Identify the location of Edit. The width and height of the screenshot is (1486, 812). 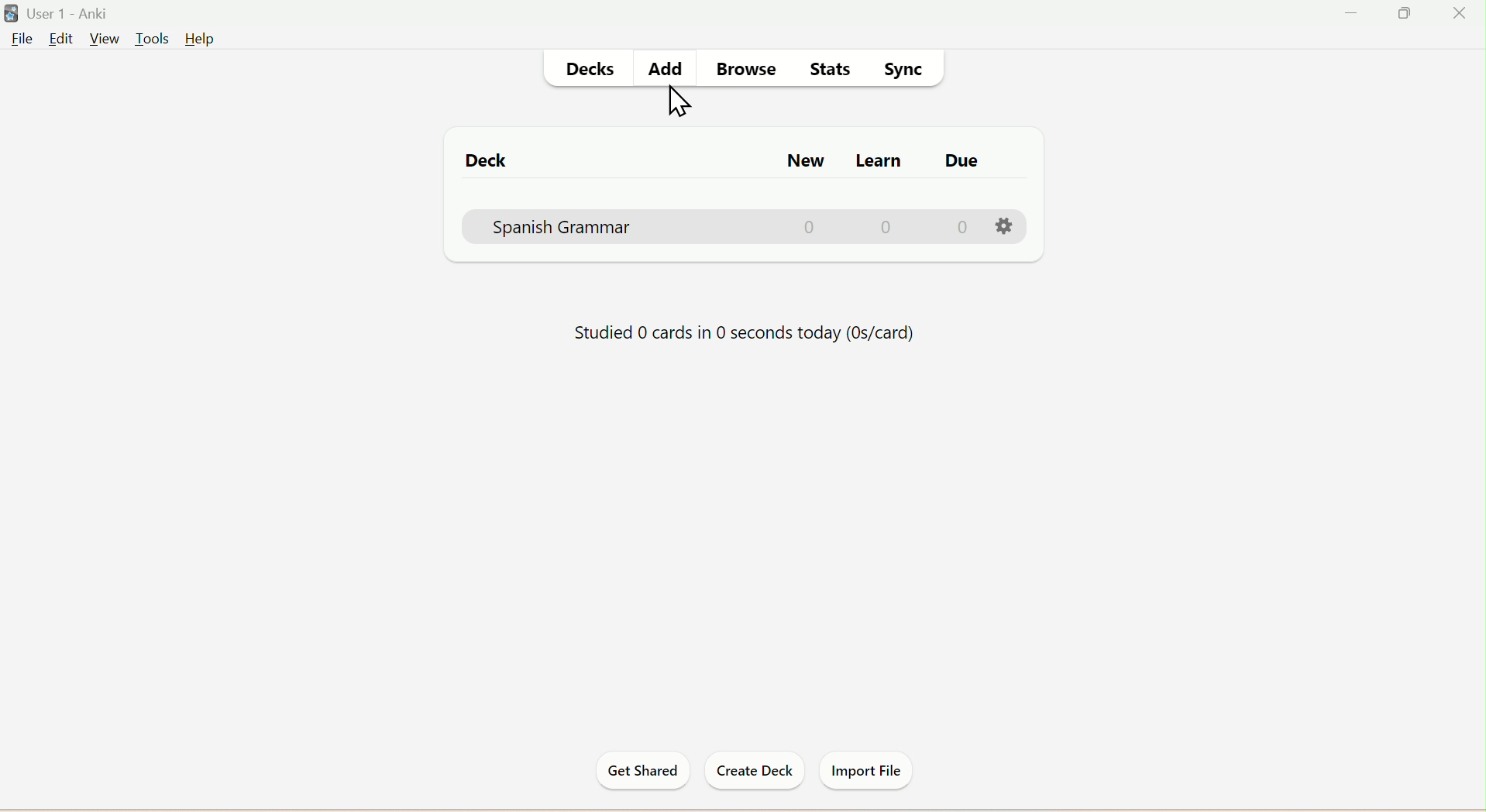
(60, 40).